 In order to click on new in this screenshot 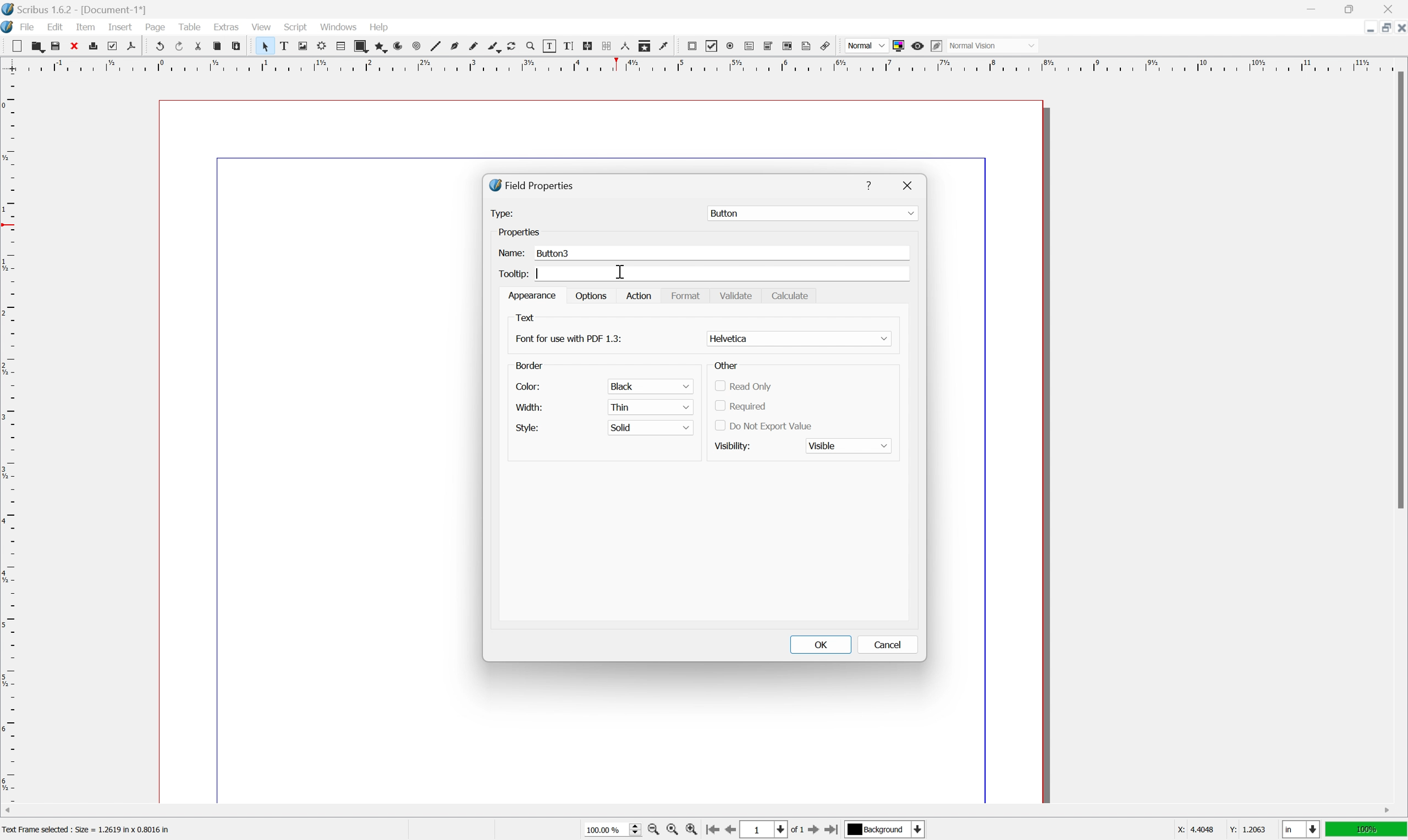, I will do `click(17, 46)`.